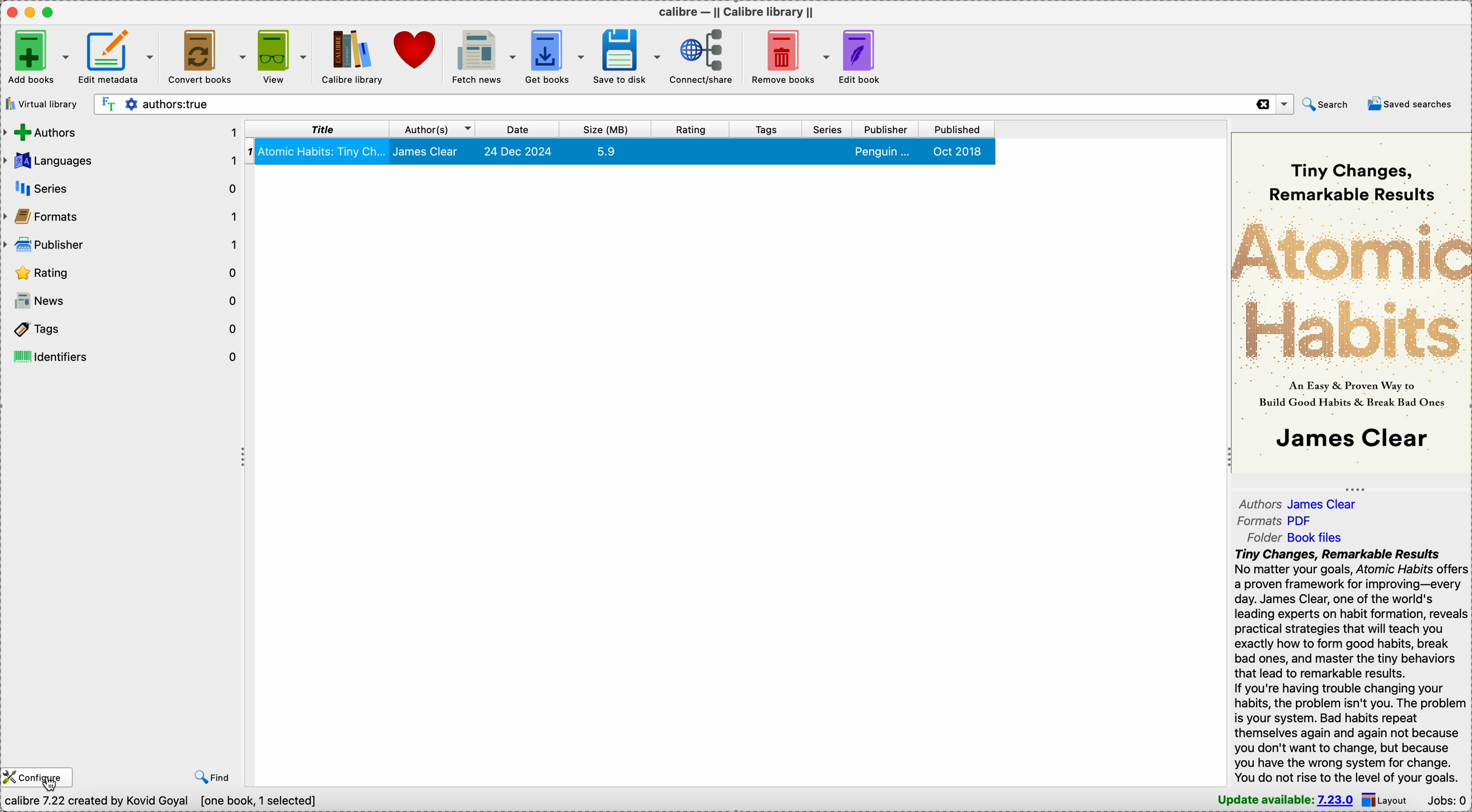 This screenshot has height=812, width=1472. Describe the element at coordinates (122, 217) in the screenshot. I see `formats` at that location.